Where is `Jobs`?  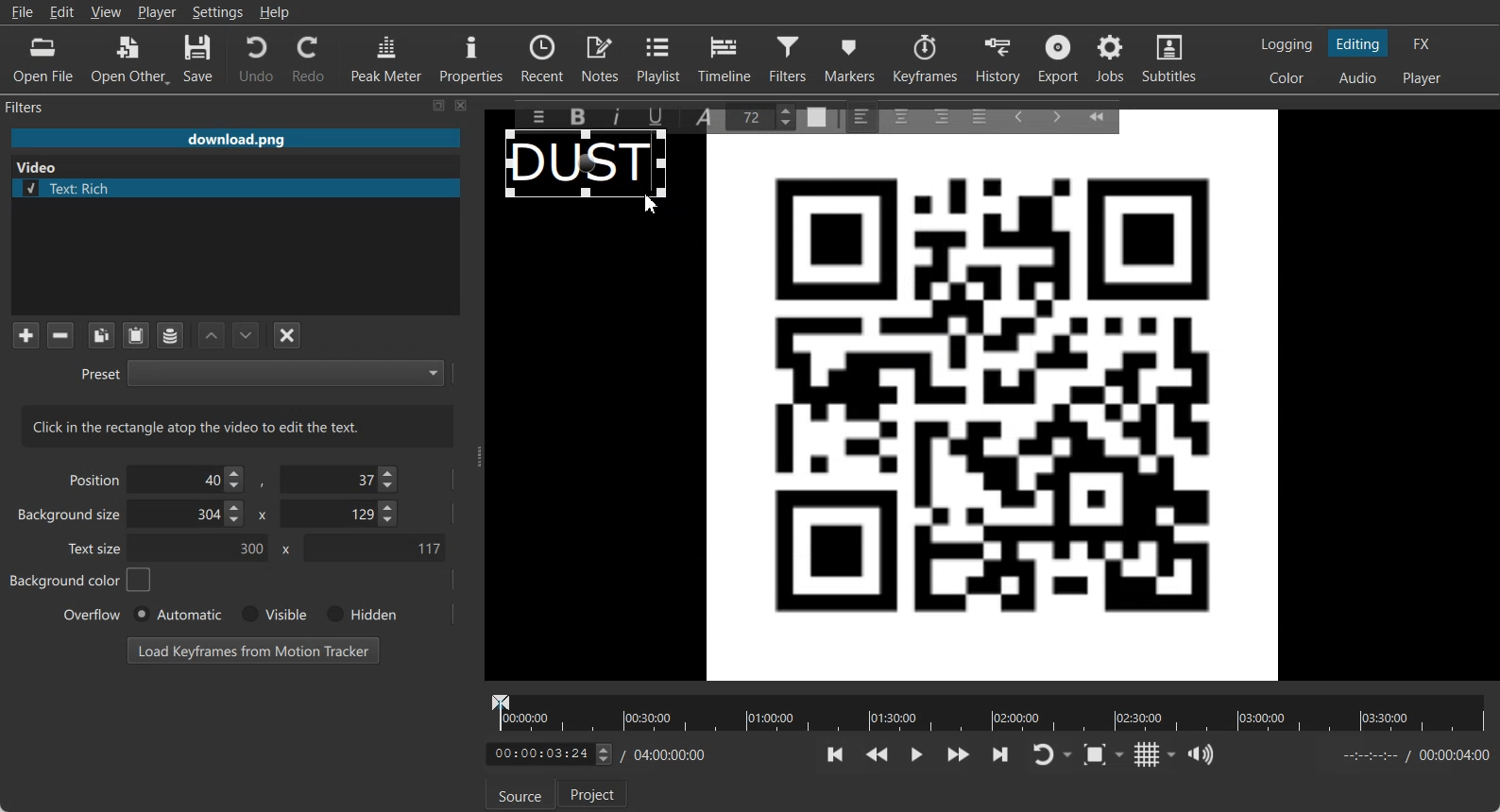
Jobs is located at coordinates (1112, 59).